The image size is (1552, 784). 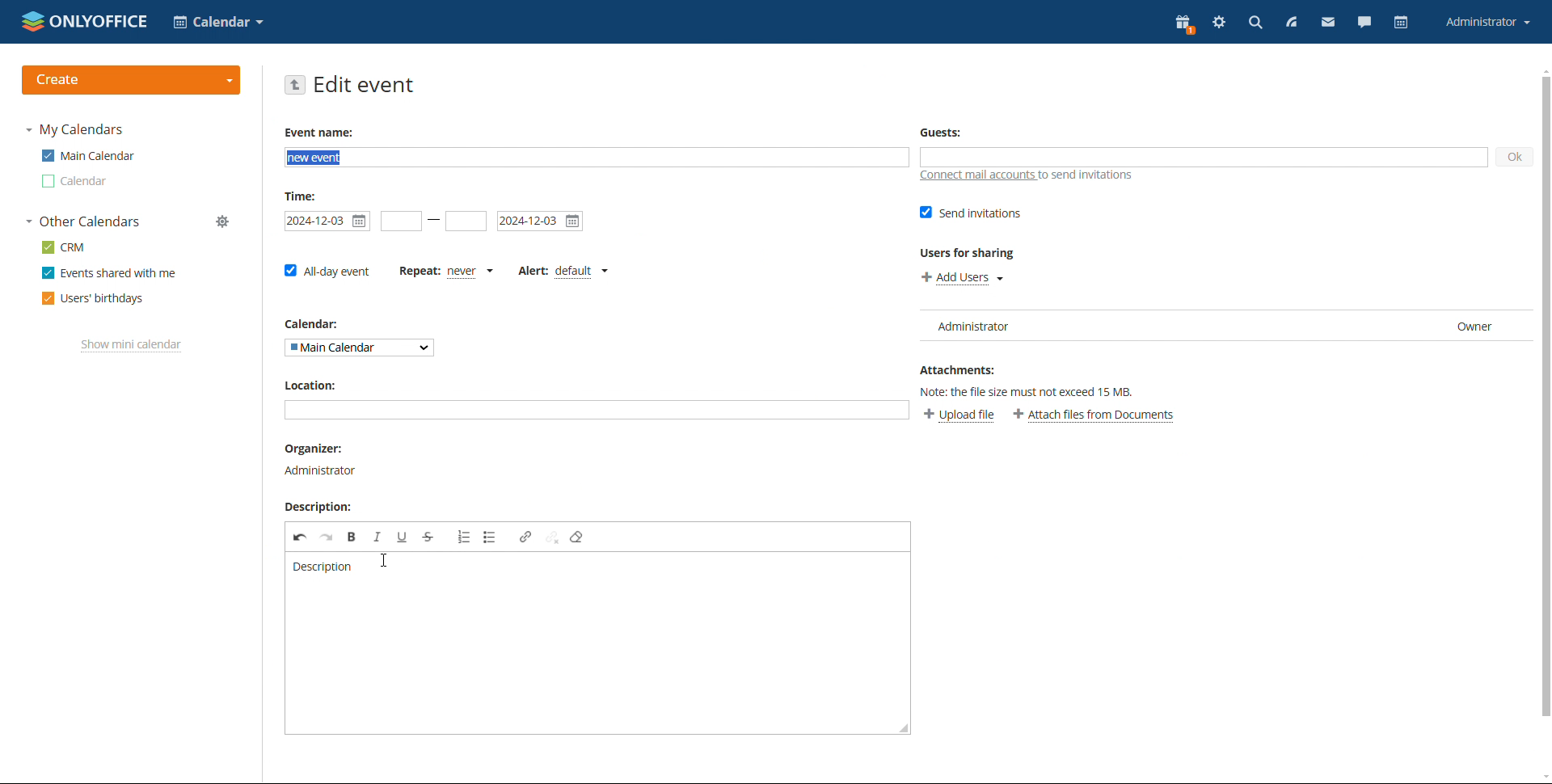 I want to click on link, so click(x=525, y=537).